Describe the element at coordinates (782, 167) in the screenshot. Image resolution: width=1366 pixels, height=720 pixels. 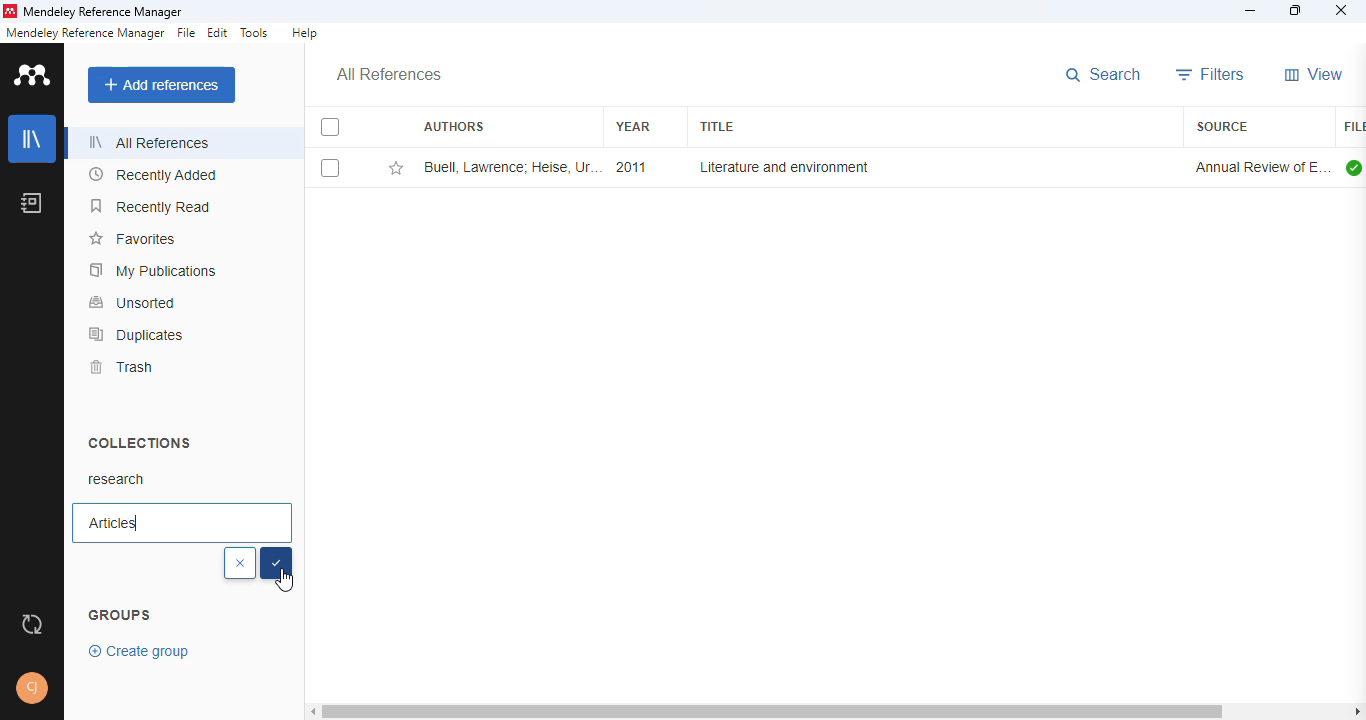
I see `literature and environment` at that location.